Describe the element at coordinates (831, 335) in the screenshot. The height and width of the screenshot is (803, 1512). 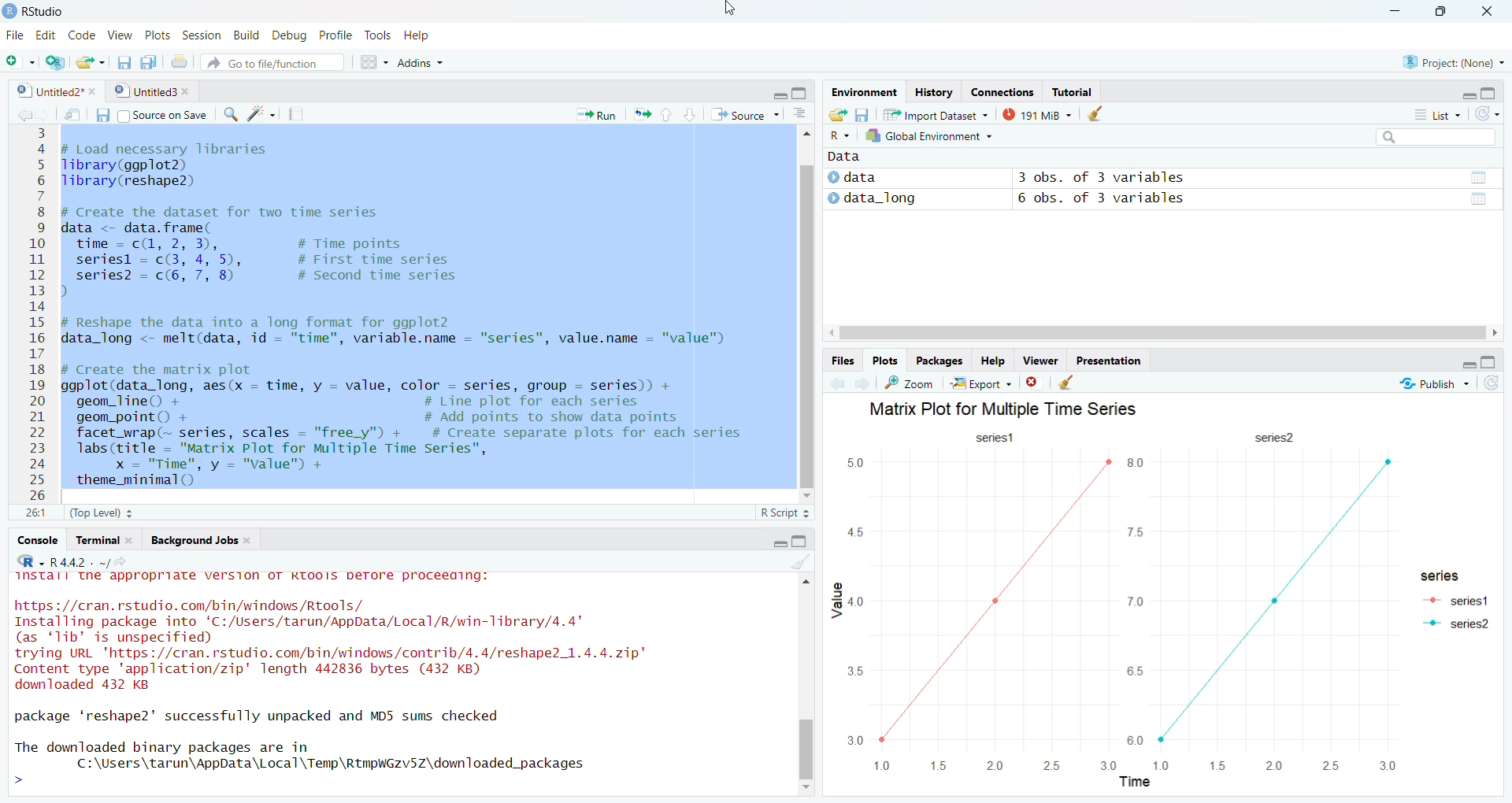
I see `Scroll right` at that location.